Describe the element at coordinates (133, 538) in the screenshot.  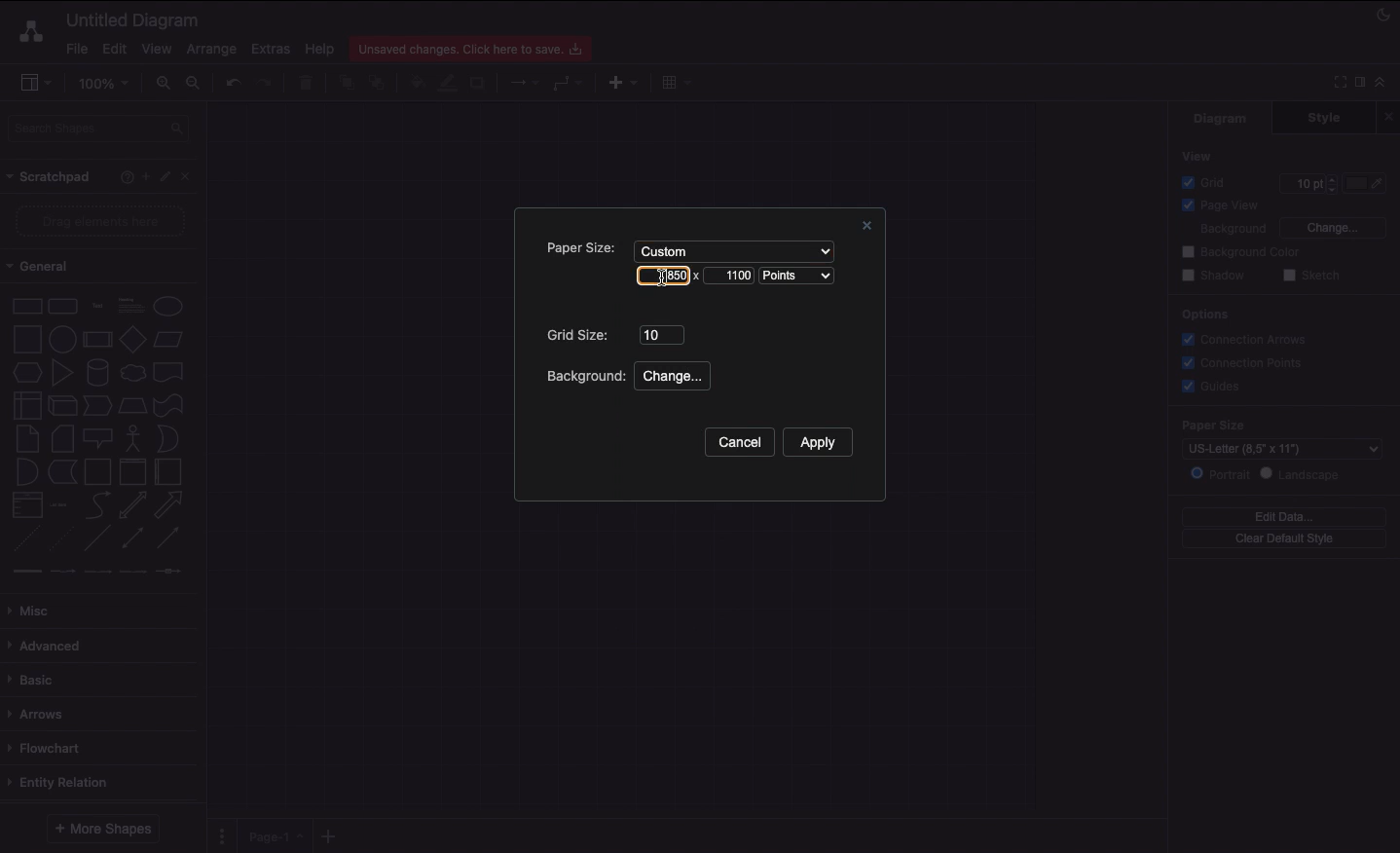
I see `Bidirectional connector` at that location.